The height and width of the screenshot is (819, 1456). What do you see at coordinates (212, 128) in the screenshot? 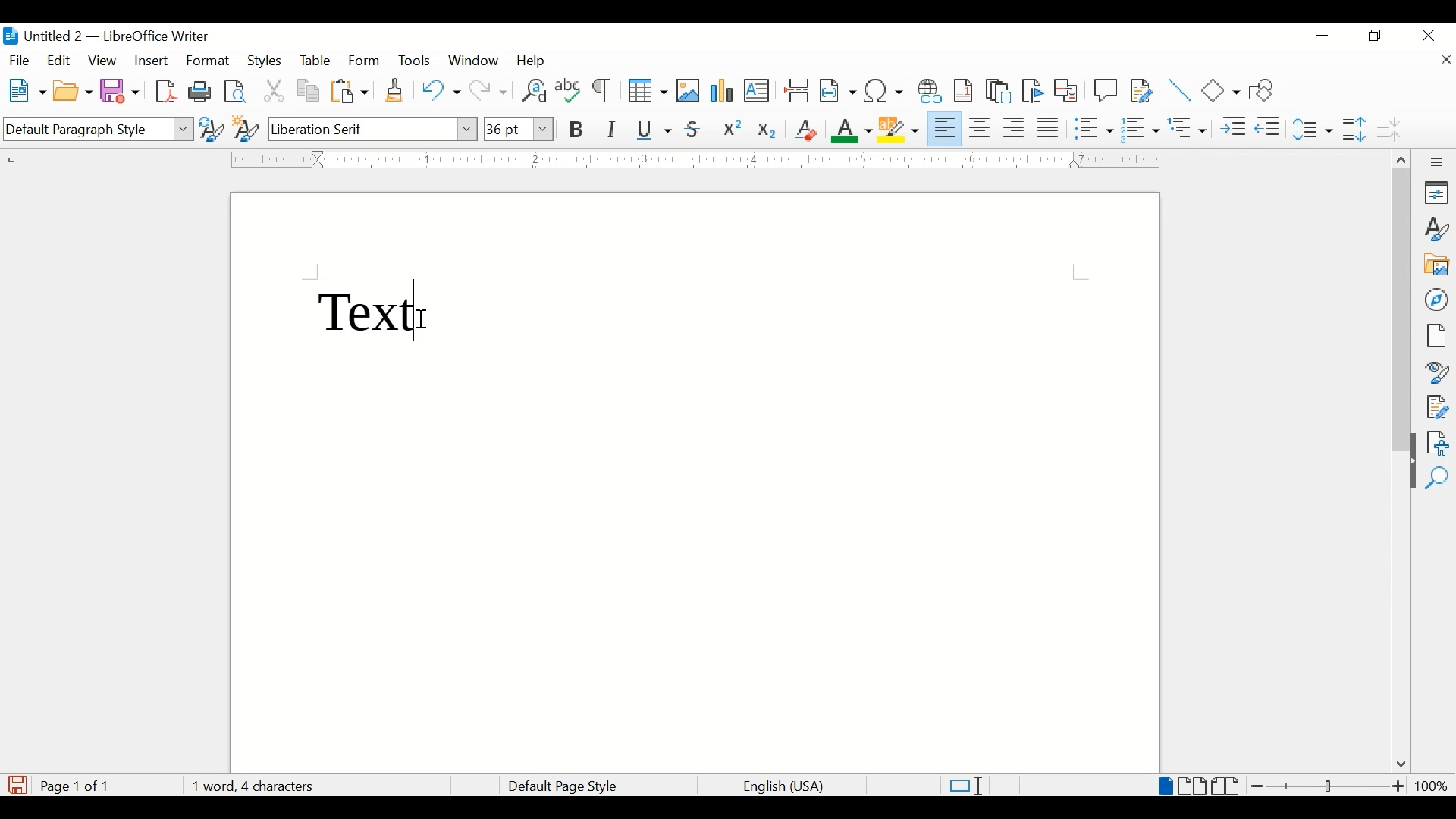
I see `update selected style` at bounding box center [212, 128].